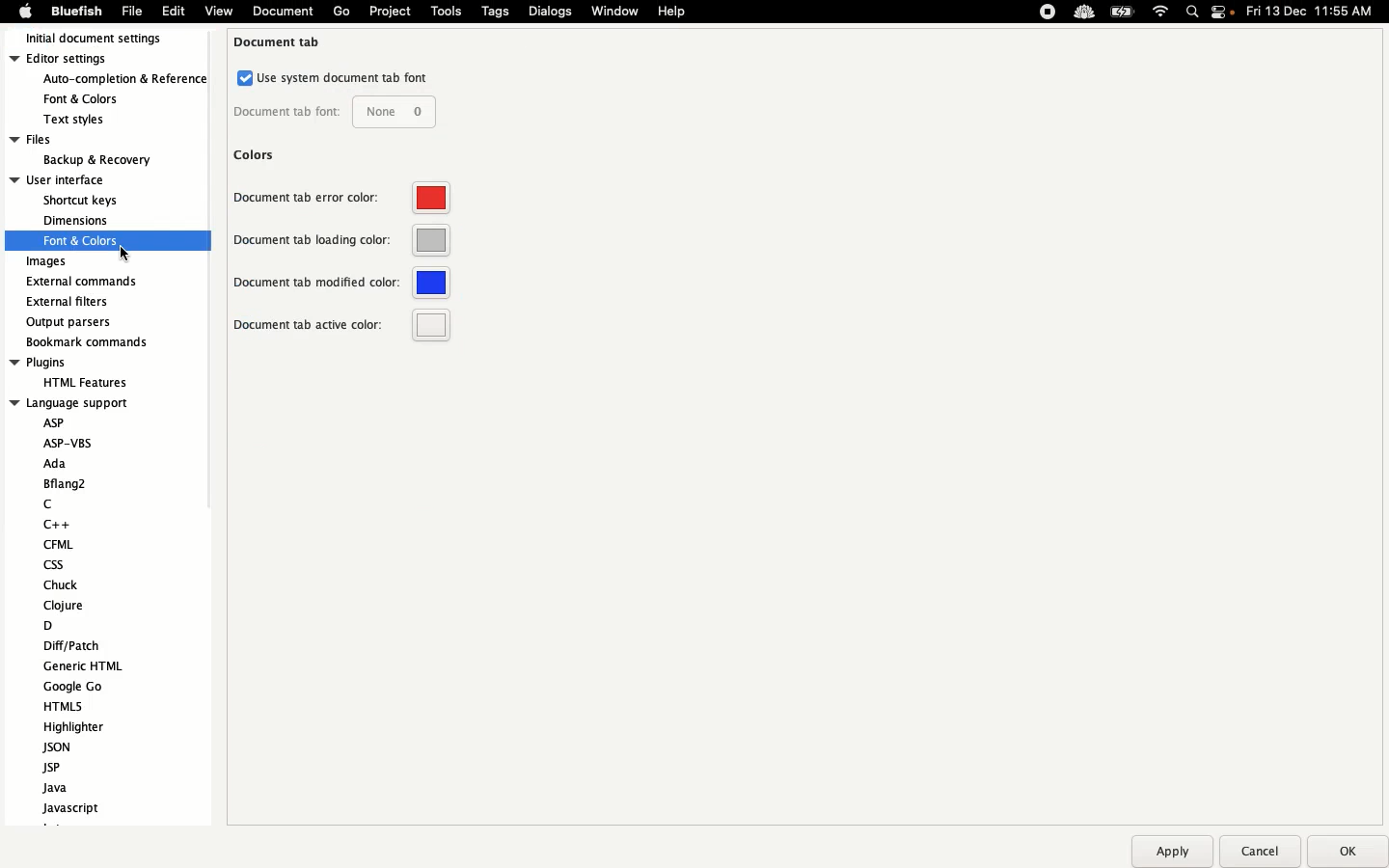 The width and height of the screenshot is (1389, 868). I want to click on document, so click(281, 13).